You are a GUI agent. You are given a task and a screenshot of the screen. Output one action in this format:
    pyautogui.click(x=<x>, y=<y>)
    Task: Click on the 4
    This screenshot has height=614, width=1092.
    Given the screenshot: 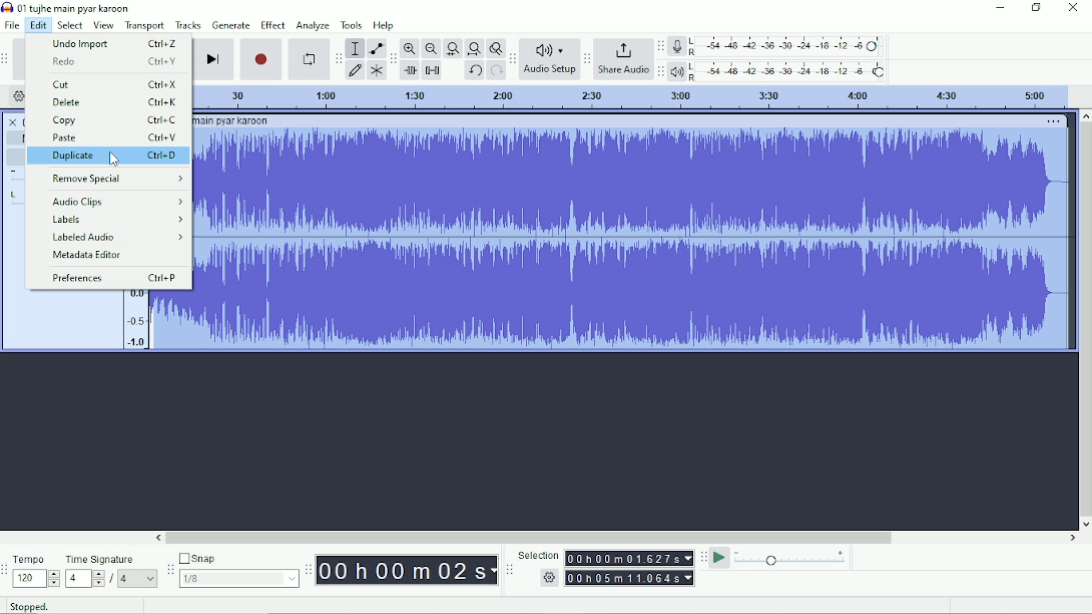 What is the action you would take?
    pyautogui.click(x=85, y=579)
    